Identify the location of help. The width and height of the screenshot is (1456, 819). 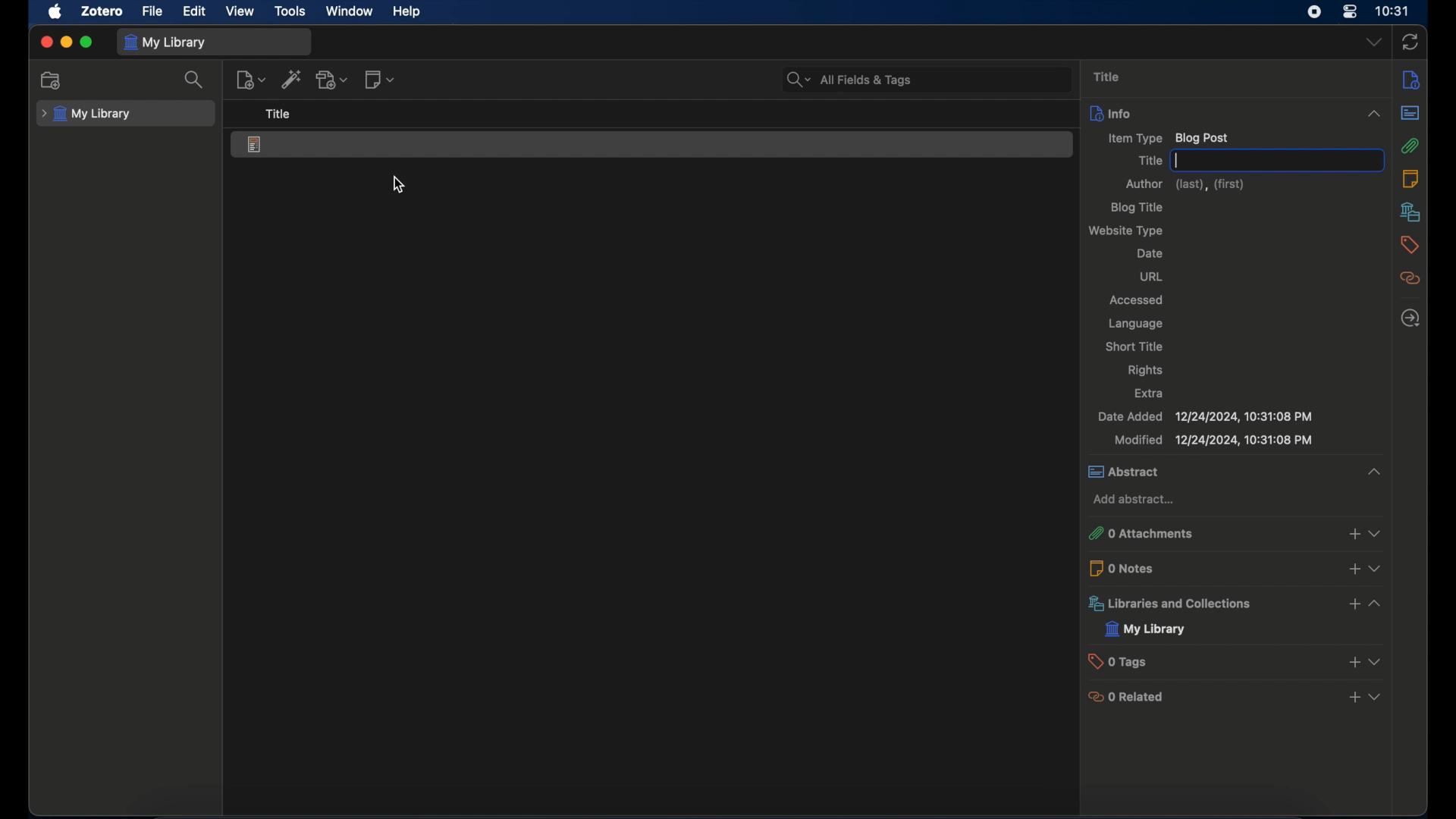
(406, 12).